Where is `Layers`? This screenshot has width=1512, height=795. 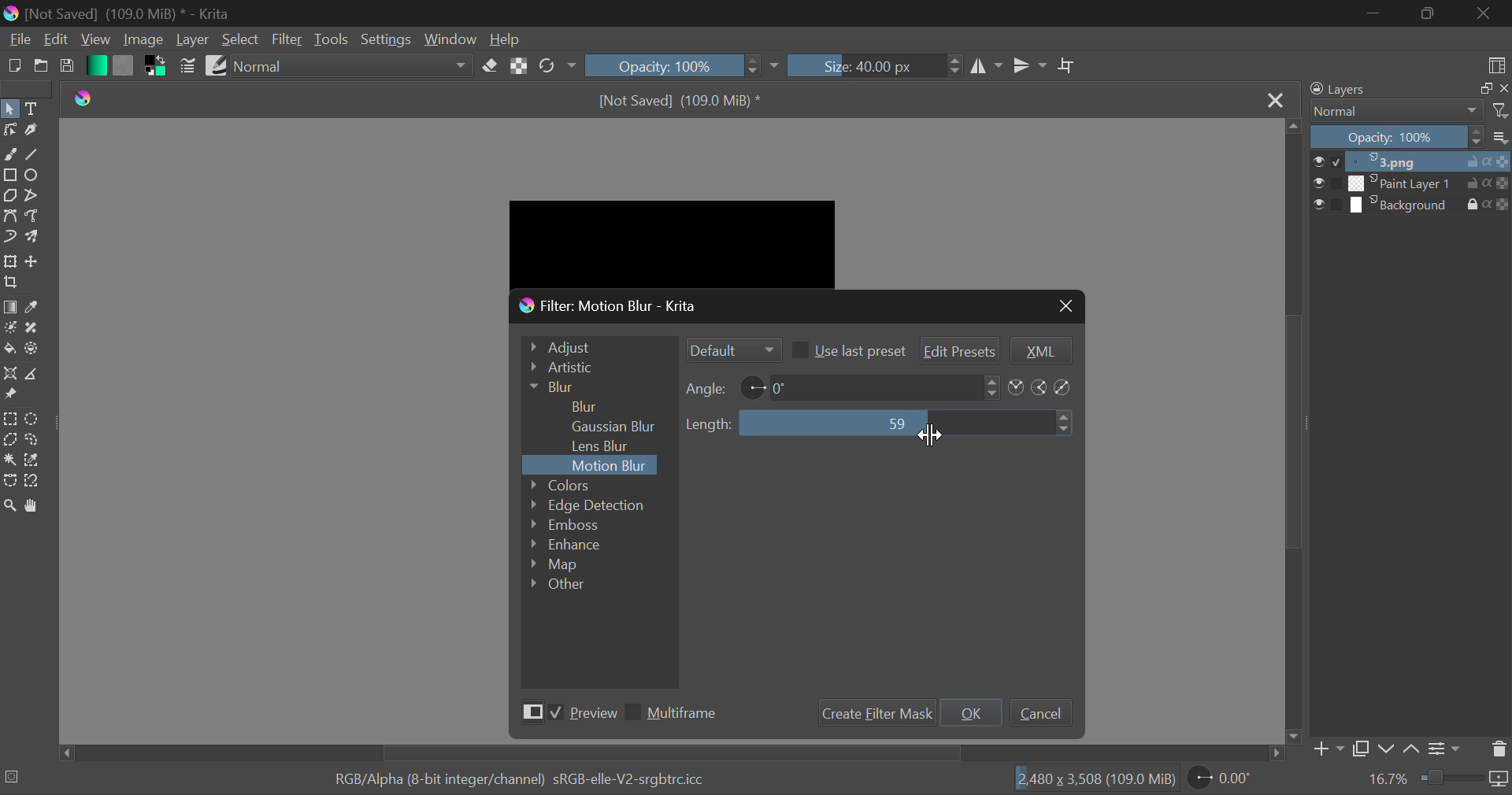
Layers is located at coordinates (1405, 89).